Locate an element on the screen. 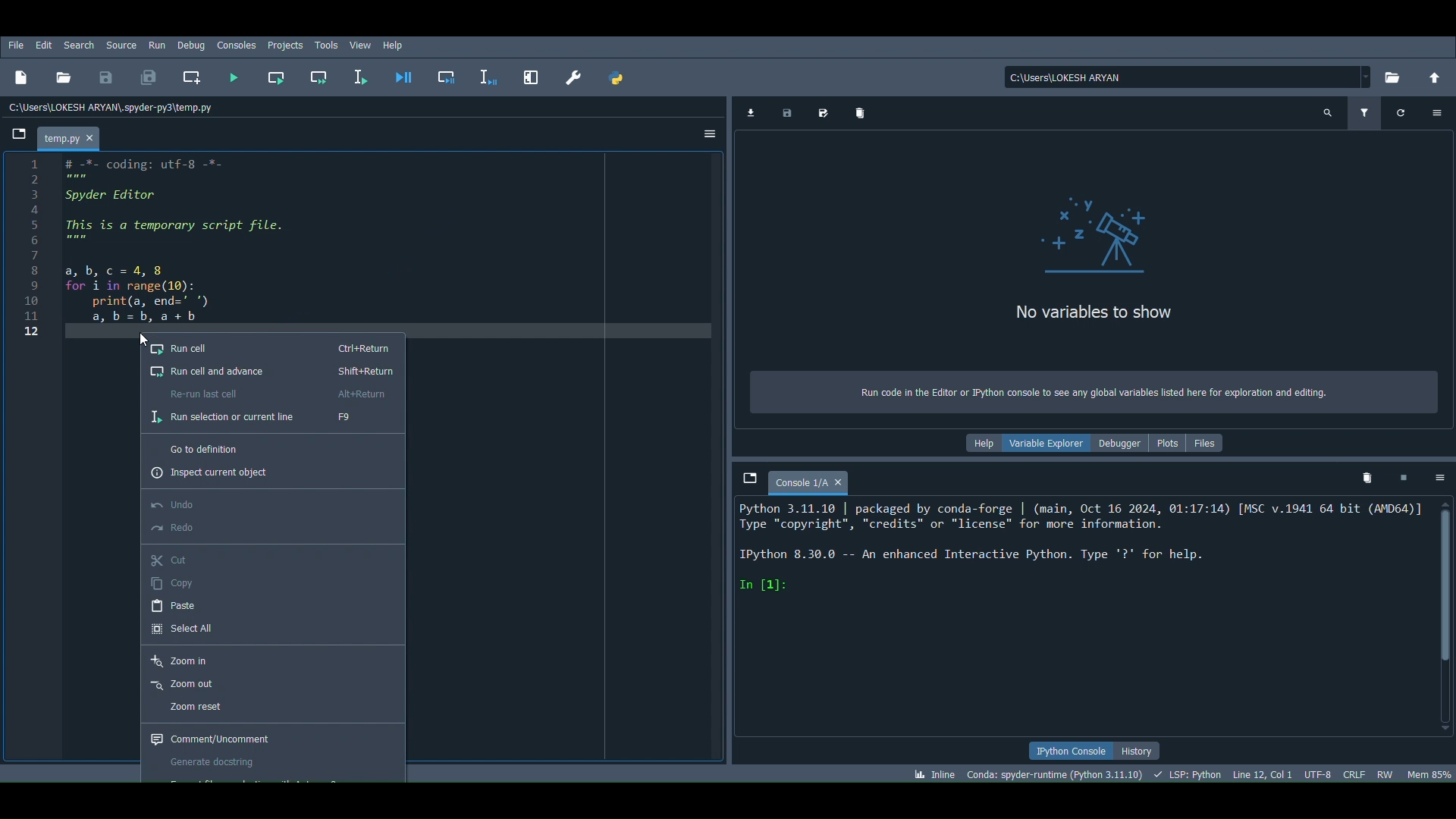  Save data is located at coordinates (783, 113).